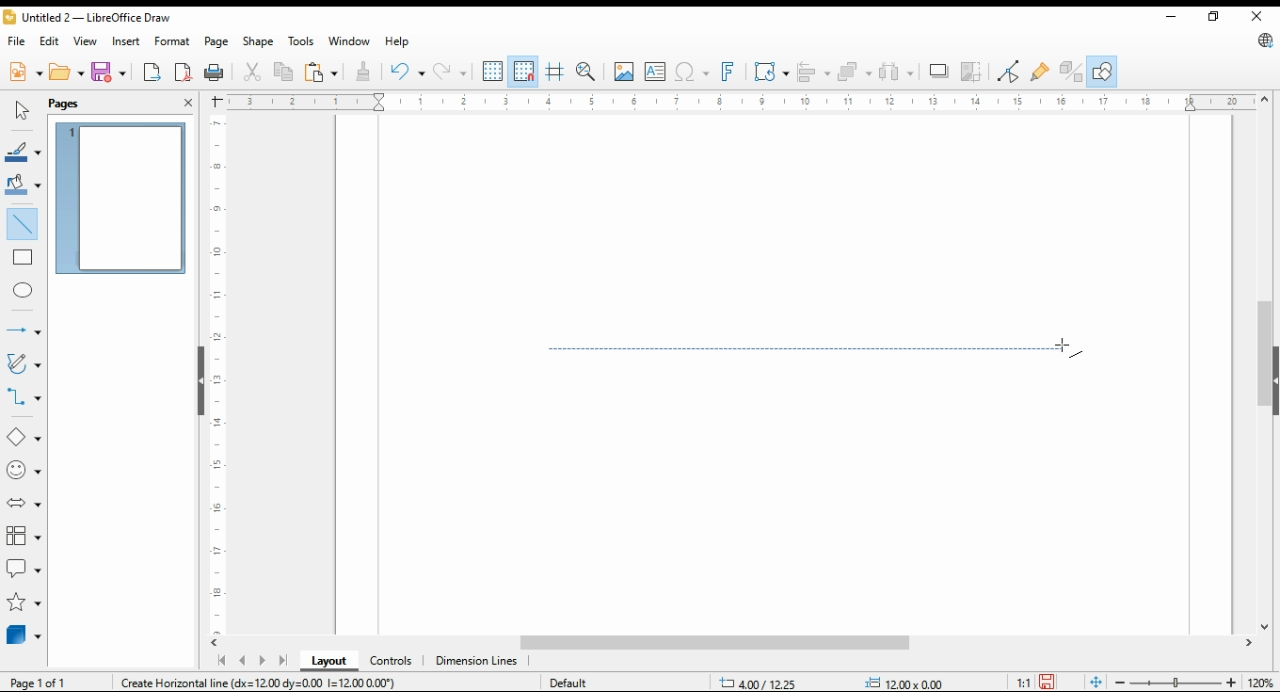 The height and width of the screenshot is (692, 1280). I want to click on page 1 of 1, so click(40, 682).